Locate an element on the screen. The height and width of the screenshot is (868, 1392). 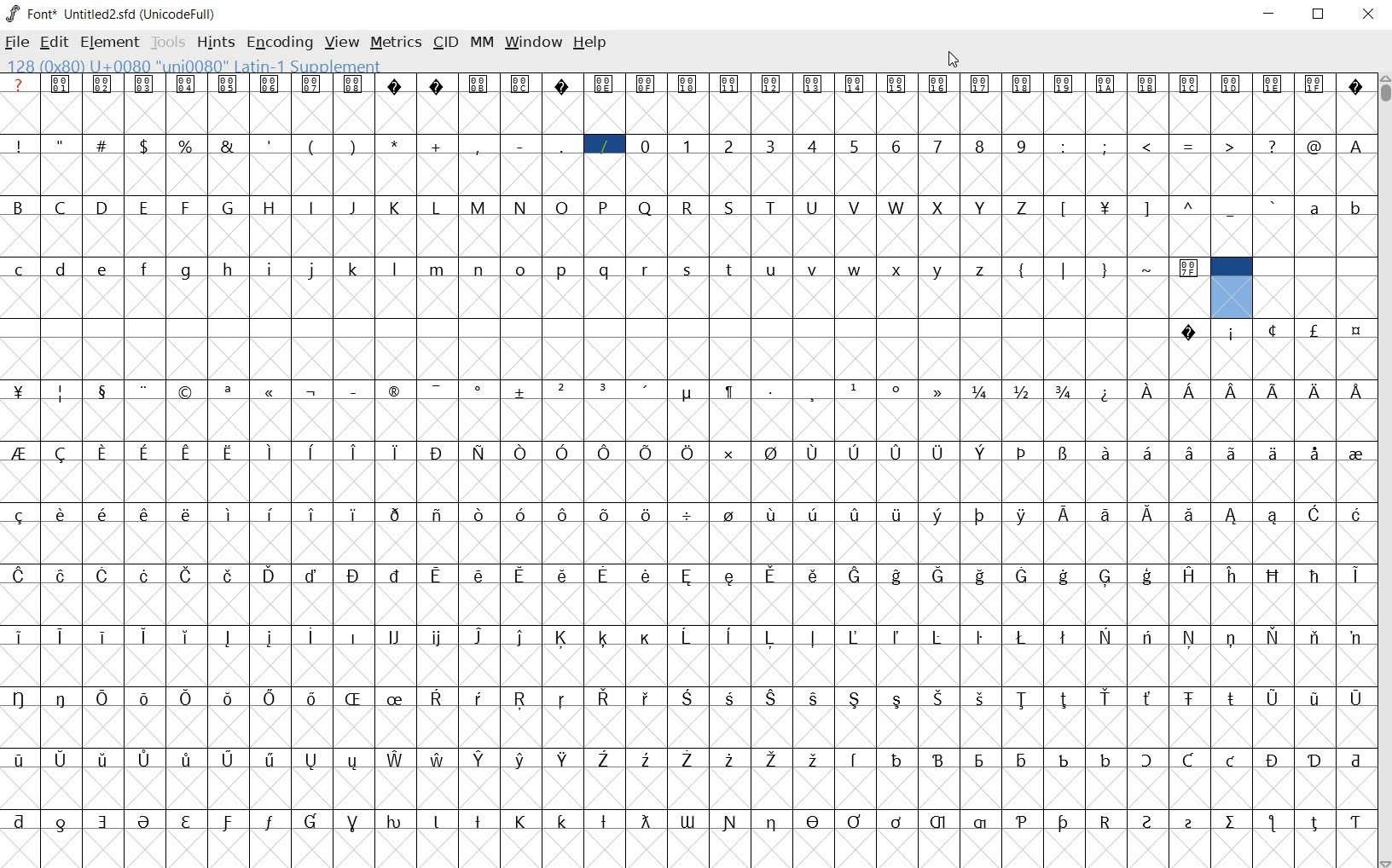
J is located at coordinates (354, 207).